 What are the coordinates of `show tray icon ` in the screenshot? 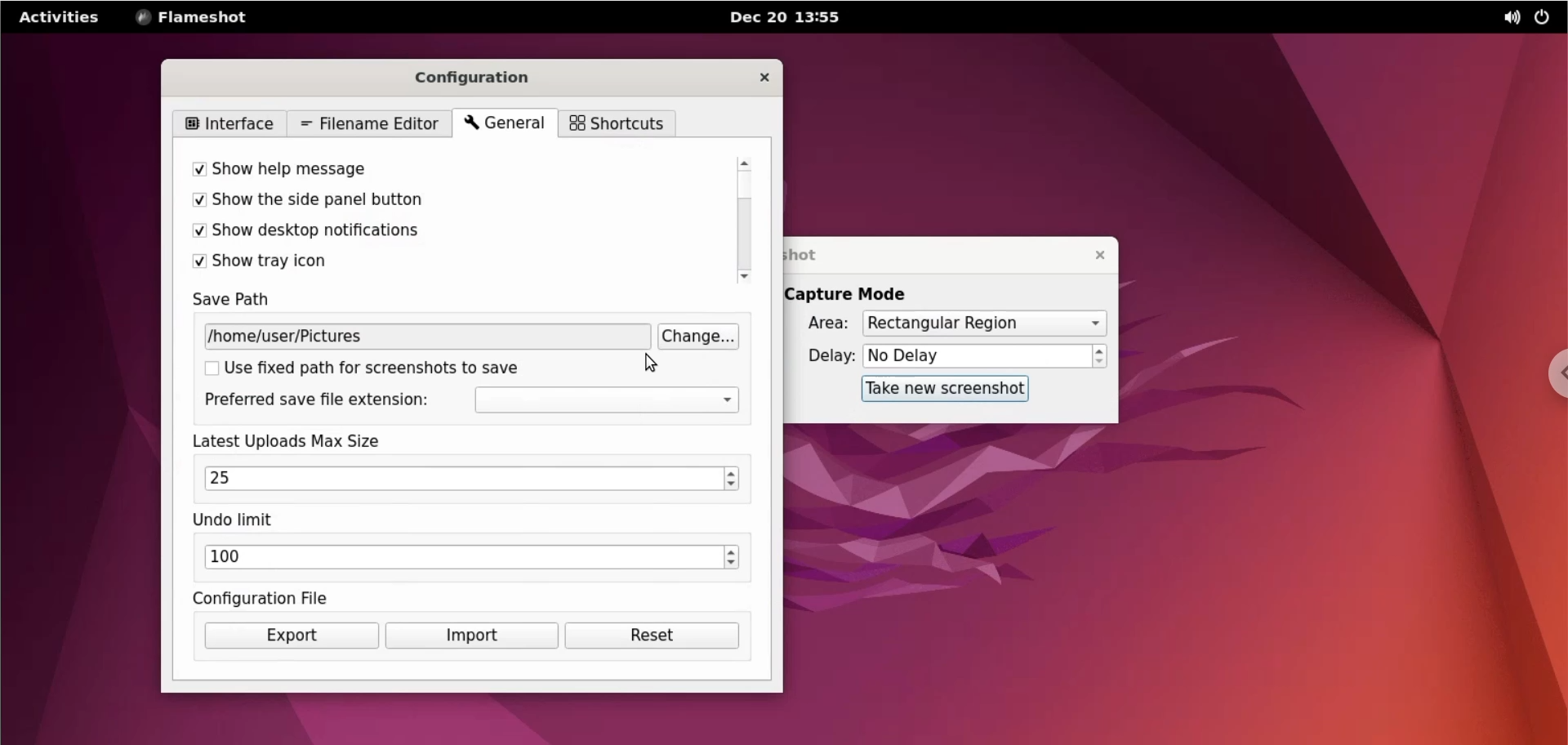 It's located at (448, 262).